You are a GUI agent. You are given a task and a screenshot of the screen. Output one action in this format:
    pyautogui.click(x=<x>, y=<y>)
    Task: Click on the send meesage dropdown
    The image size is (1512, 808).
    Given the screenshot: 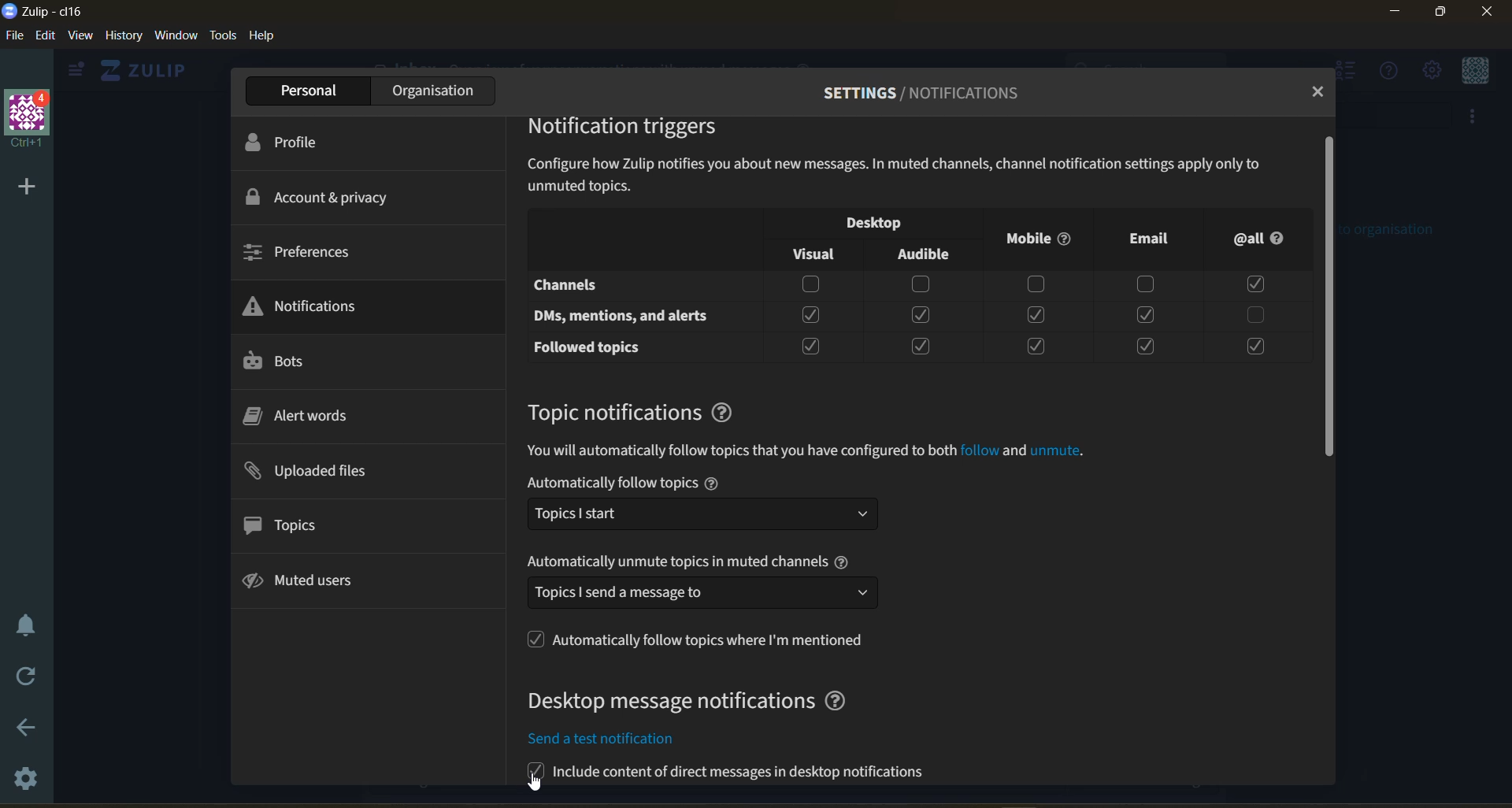 What is the action you would take?
    pyautogui.click(x=705, y=595)
    